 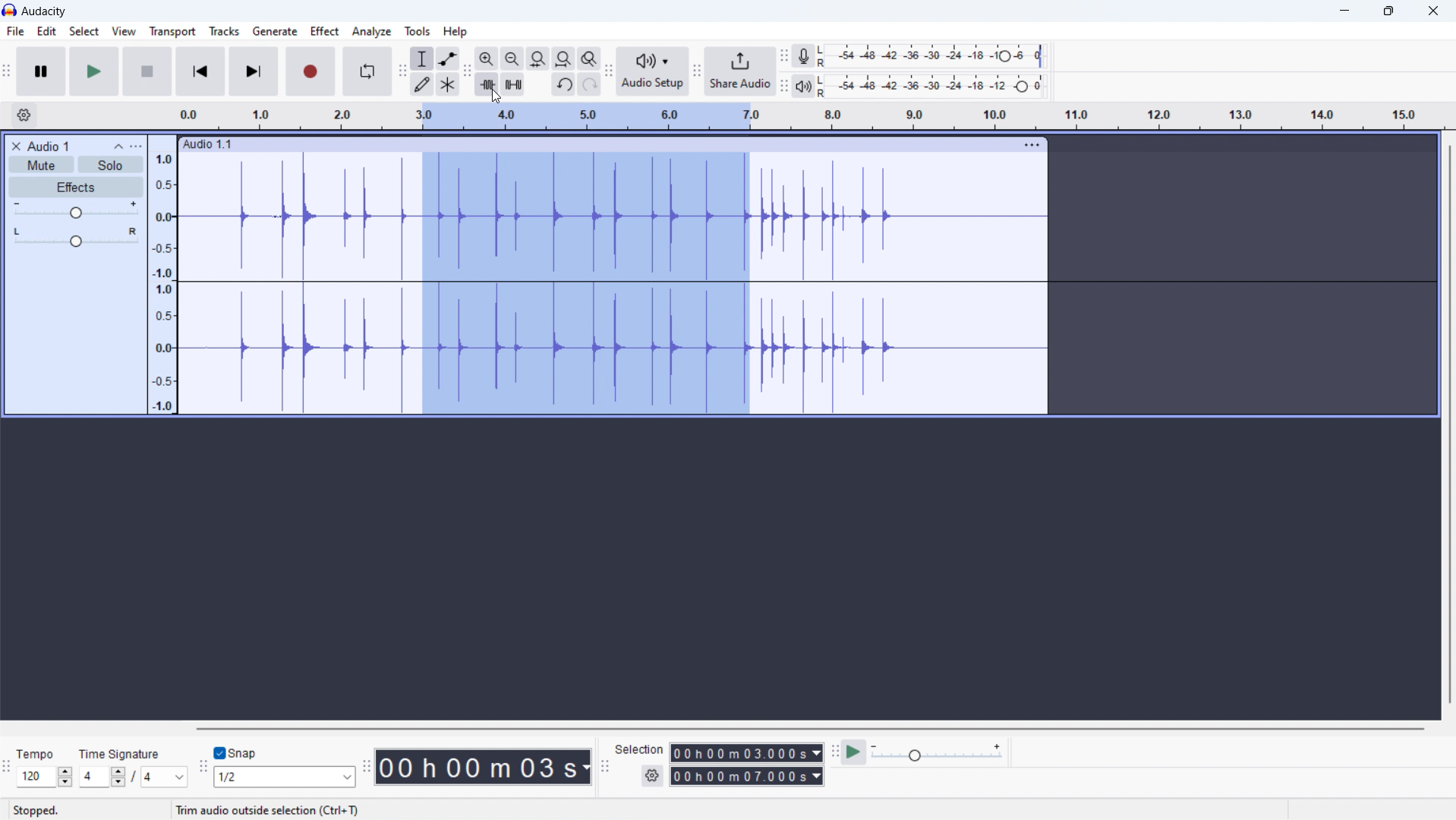 I want to click on audio setup, so click(x=654, y=71).